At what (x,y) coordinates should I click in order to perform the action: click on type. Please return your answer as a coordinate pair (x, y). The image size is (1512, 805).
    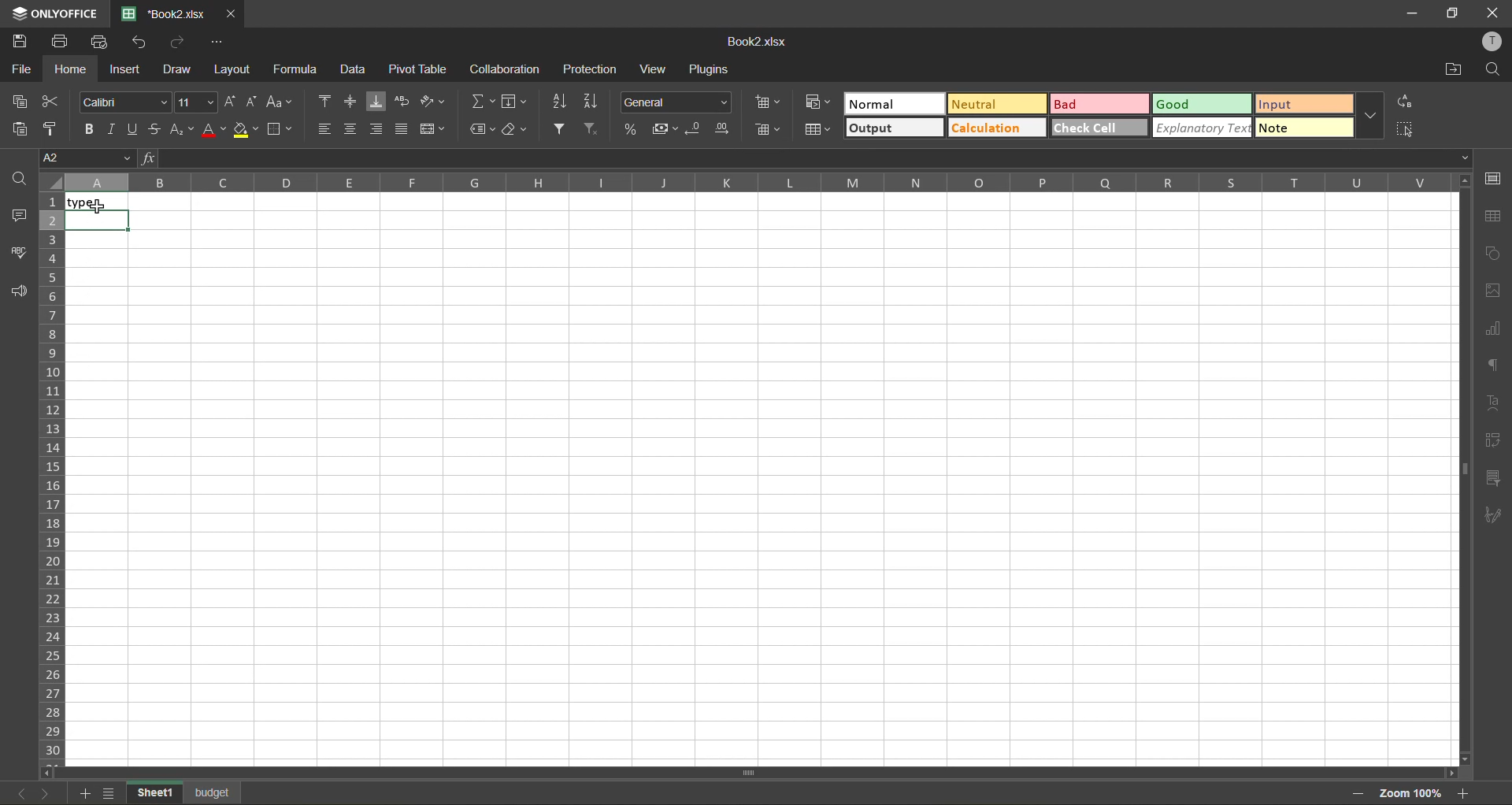
    Looking at the image, I should click on (100, 202).